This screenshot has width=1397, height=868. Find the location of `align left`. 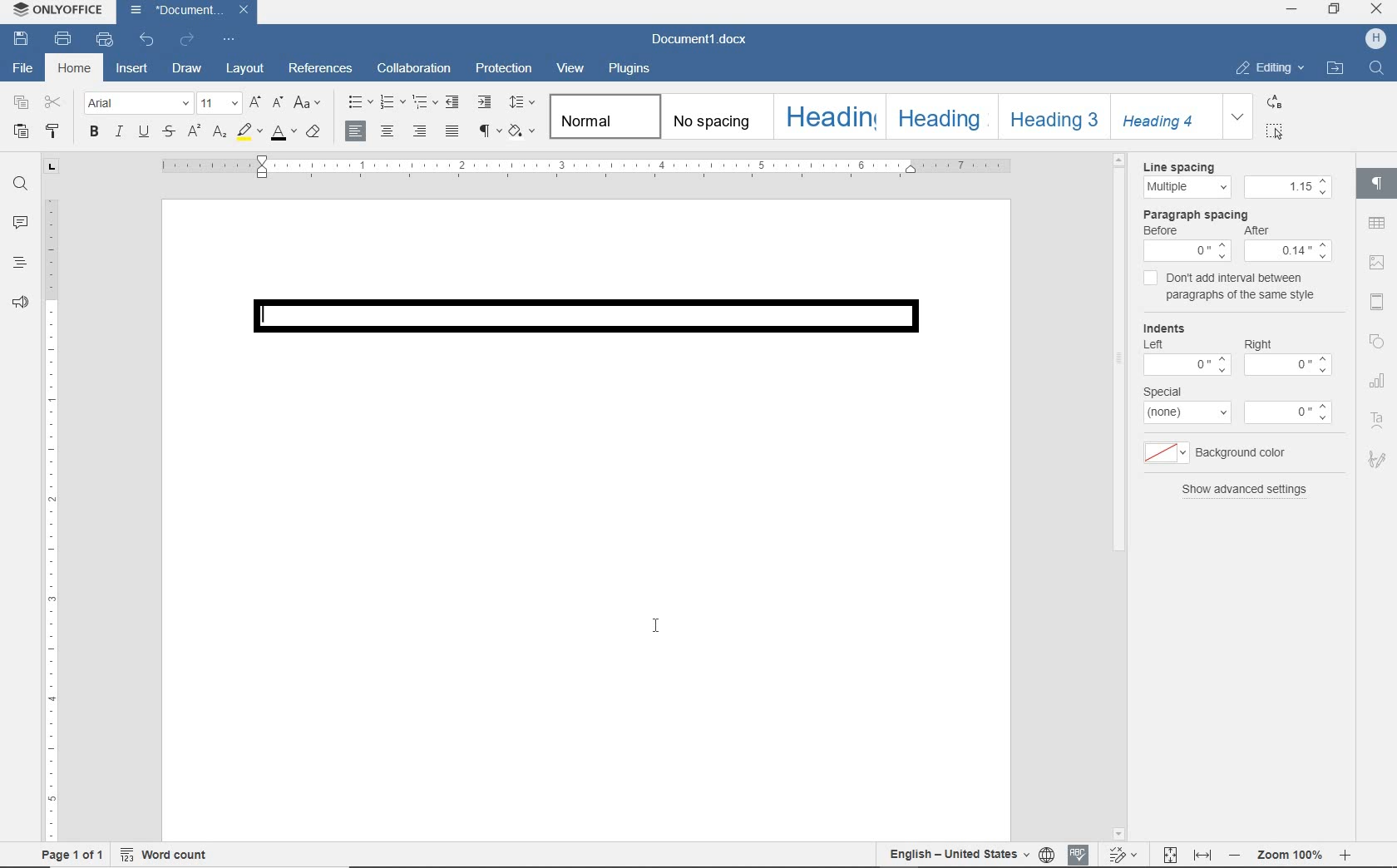

align left is located at coordinates (357, 132).